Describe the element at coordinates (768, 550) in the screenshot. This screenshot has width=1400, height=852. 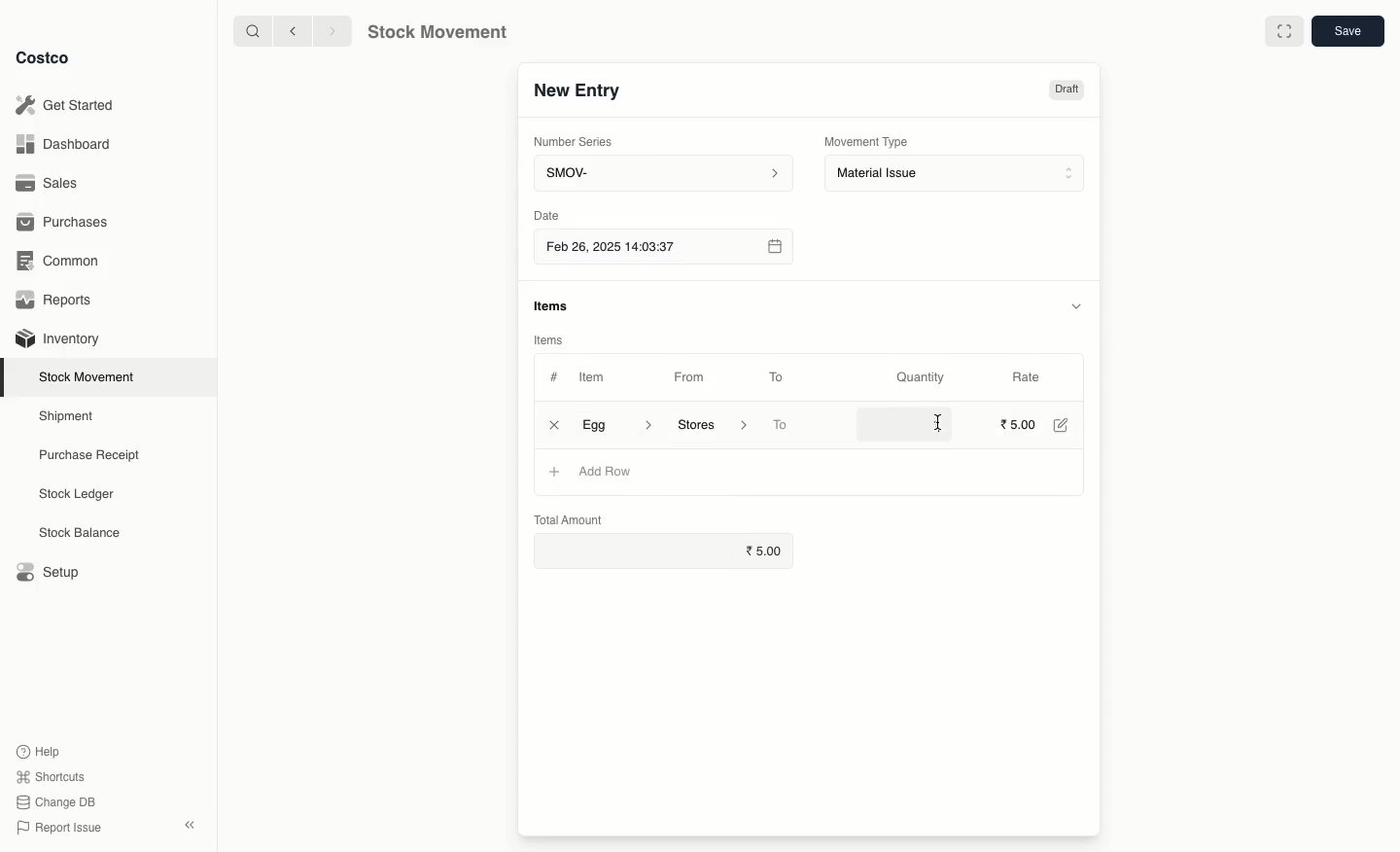
I see `5.00` at that location.